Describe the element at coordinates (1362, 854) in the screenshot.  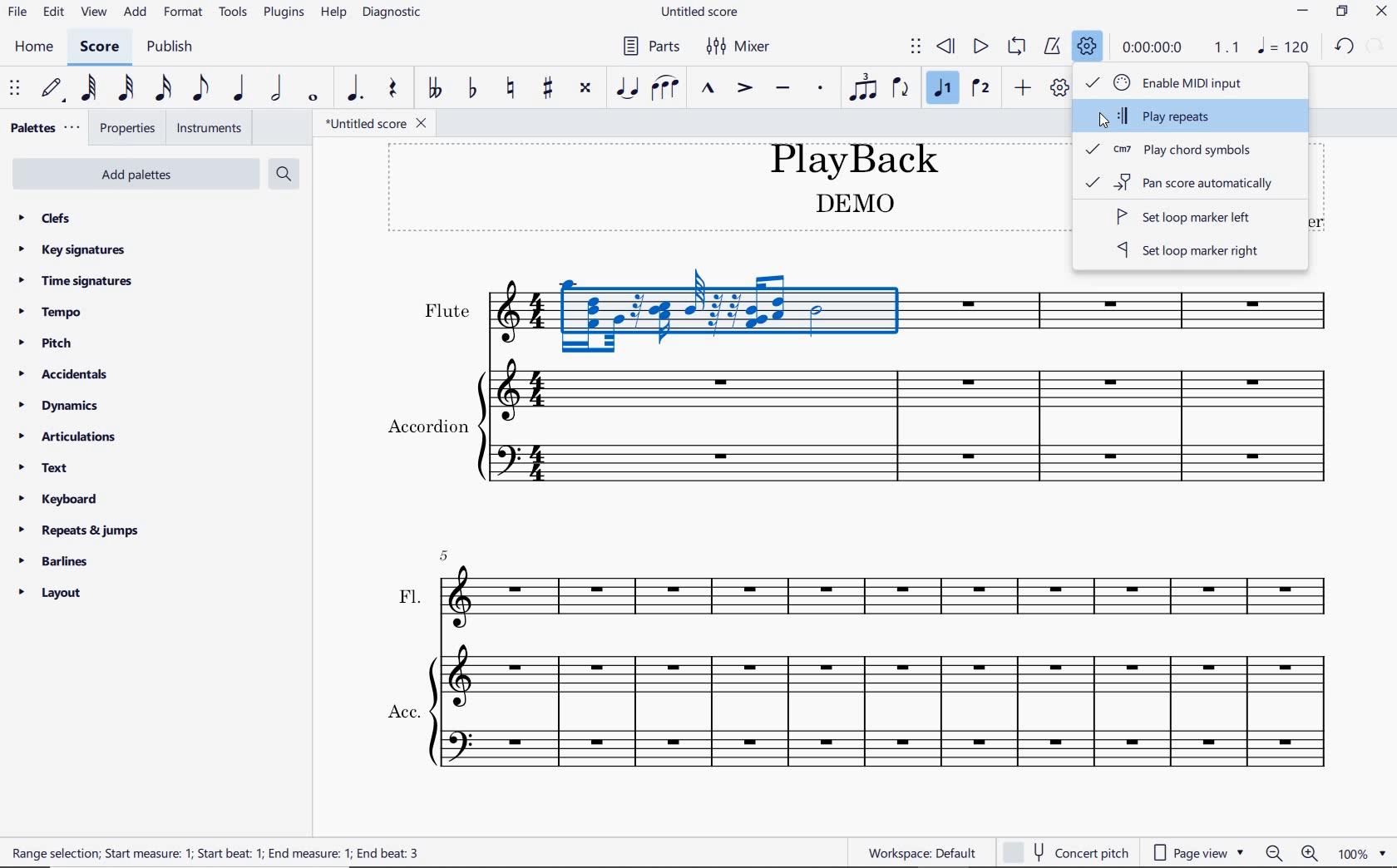
I see `ZOOM FACTOR` at that location.